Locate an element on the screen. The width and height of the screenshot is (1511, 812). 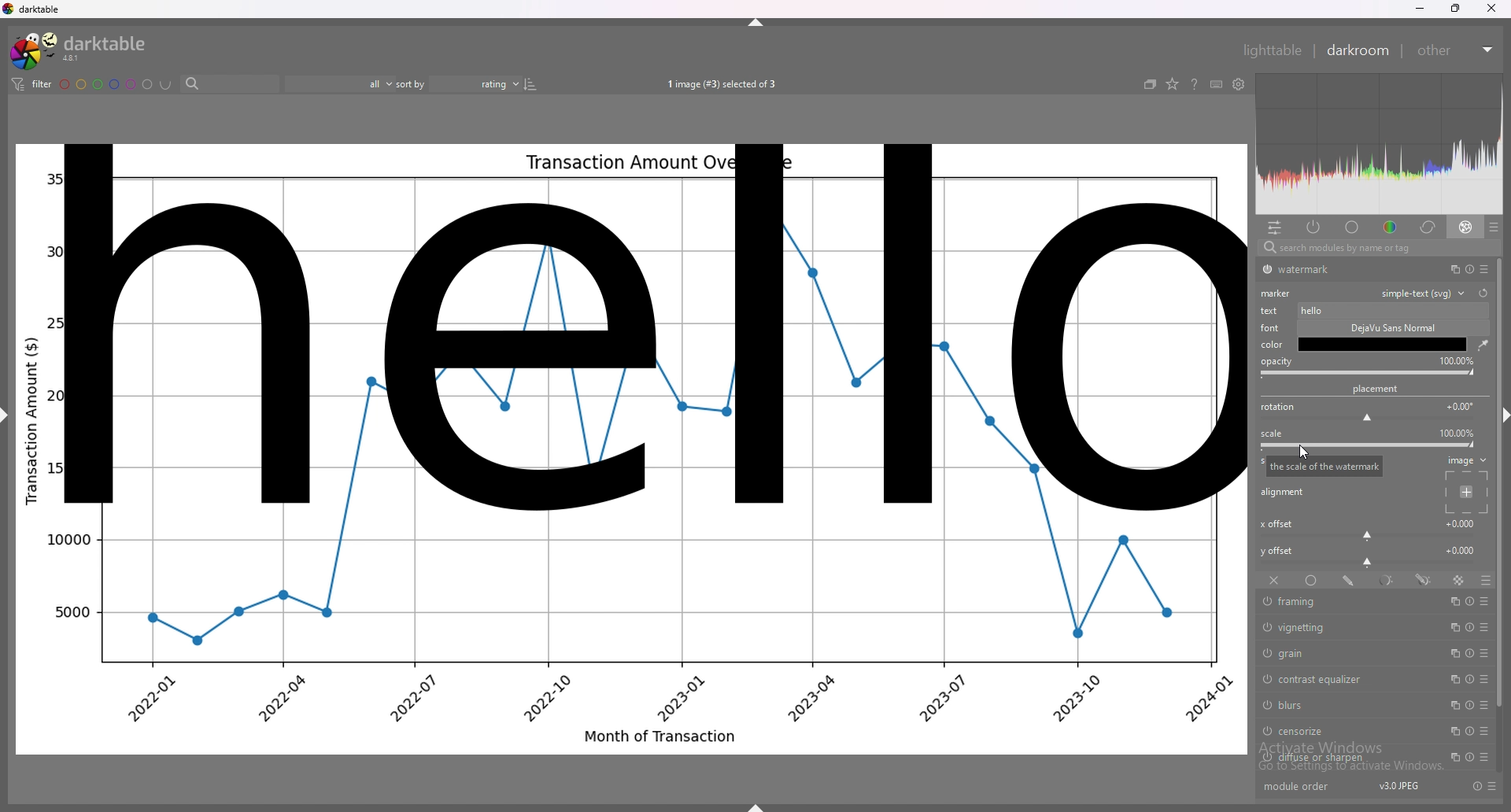
opacity is located at coordinates (1457, 360).